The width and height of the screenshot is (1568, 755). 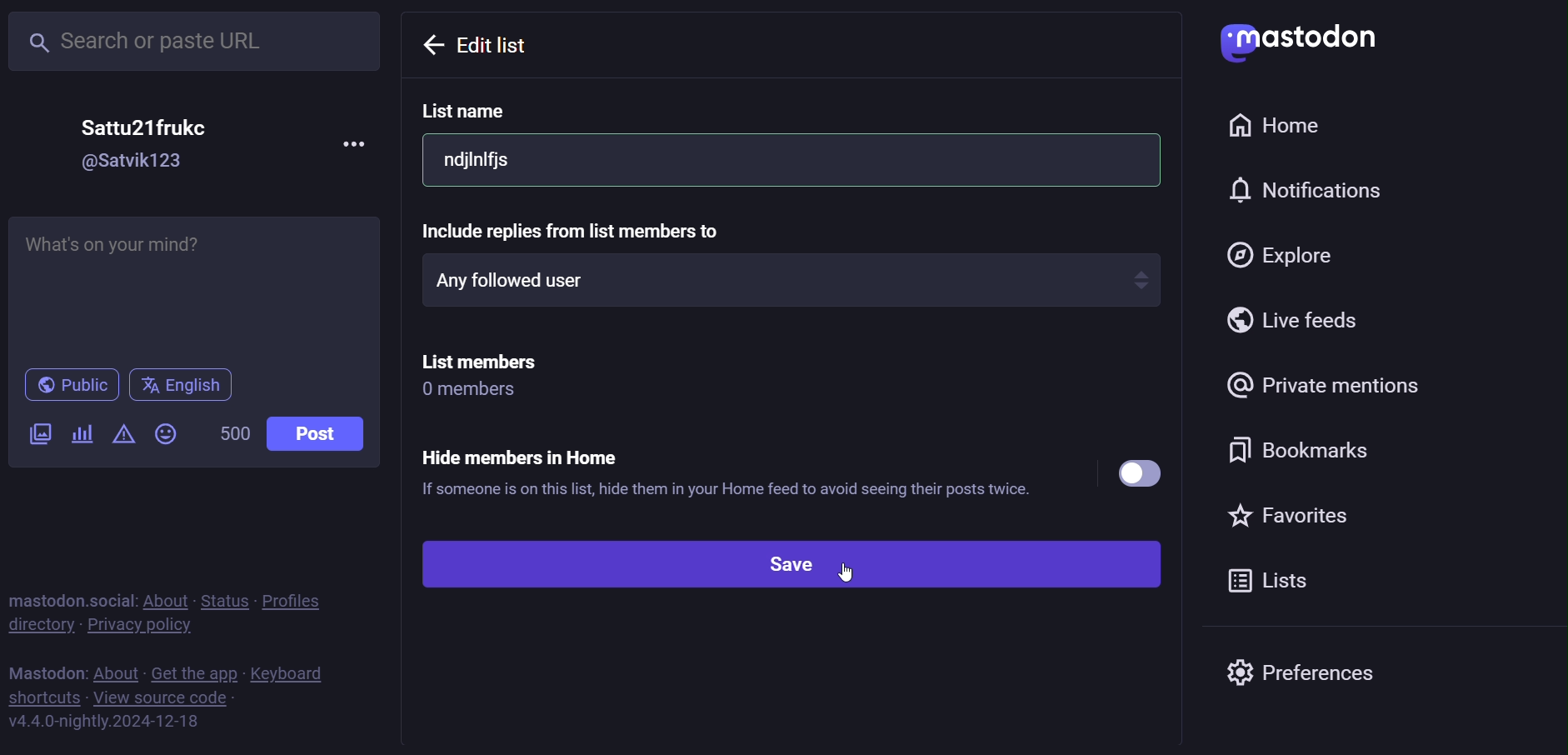 What do you see at coordinates (196, 672) in the screenshot?
I see `get the app` at bounding box center [196, 672].